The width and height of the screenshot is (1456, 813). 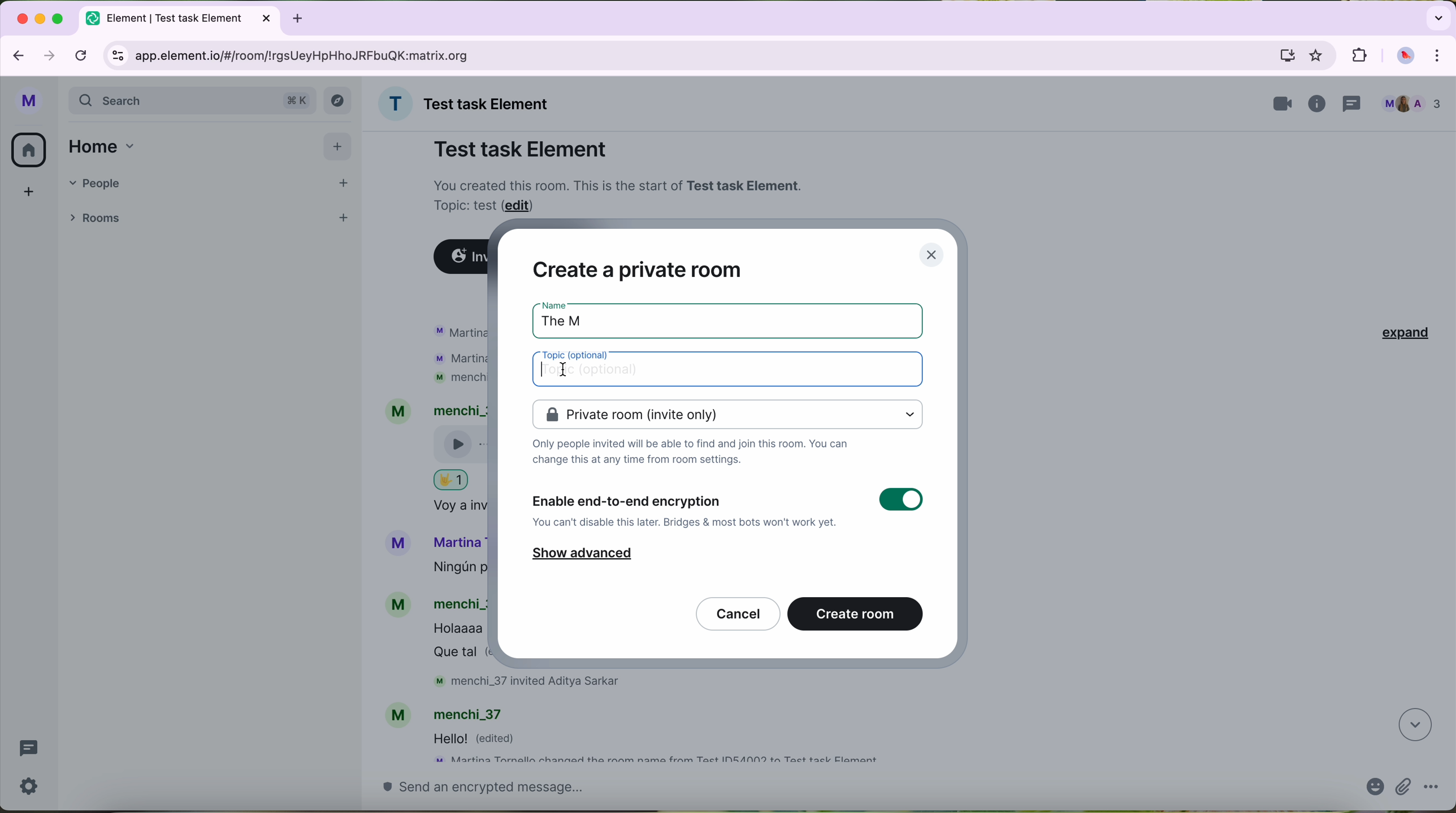 I want to click on The M, so click(x=573, y=318).